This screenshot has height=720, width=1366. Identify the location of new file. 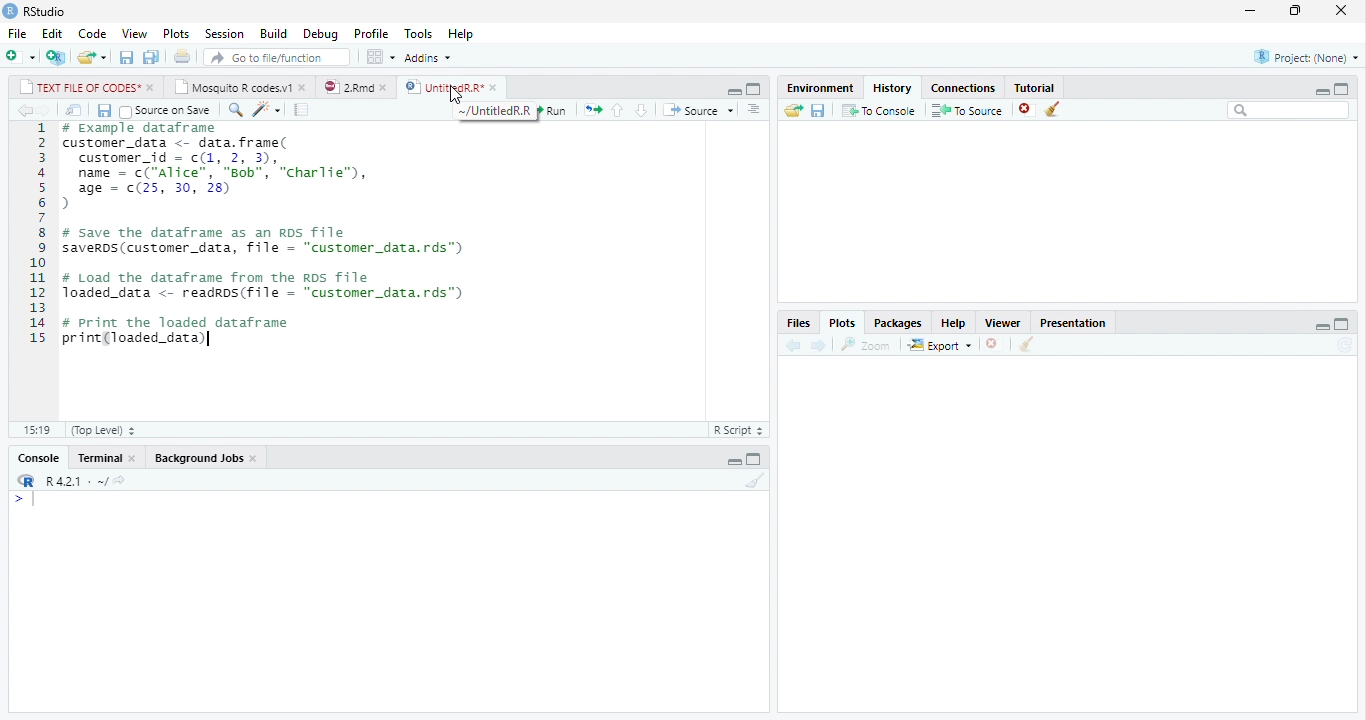
(21, 56).